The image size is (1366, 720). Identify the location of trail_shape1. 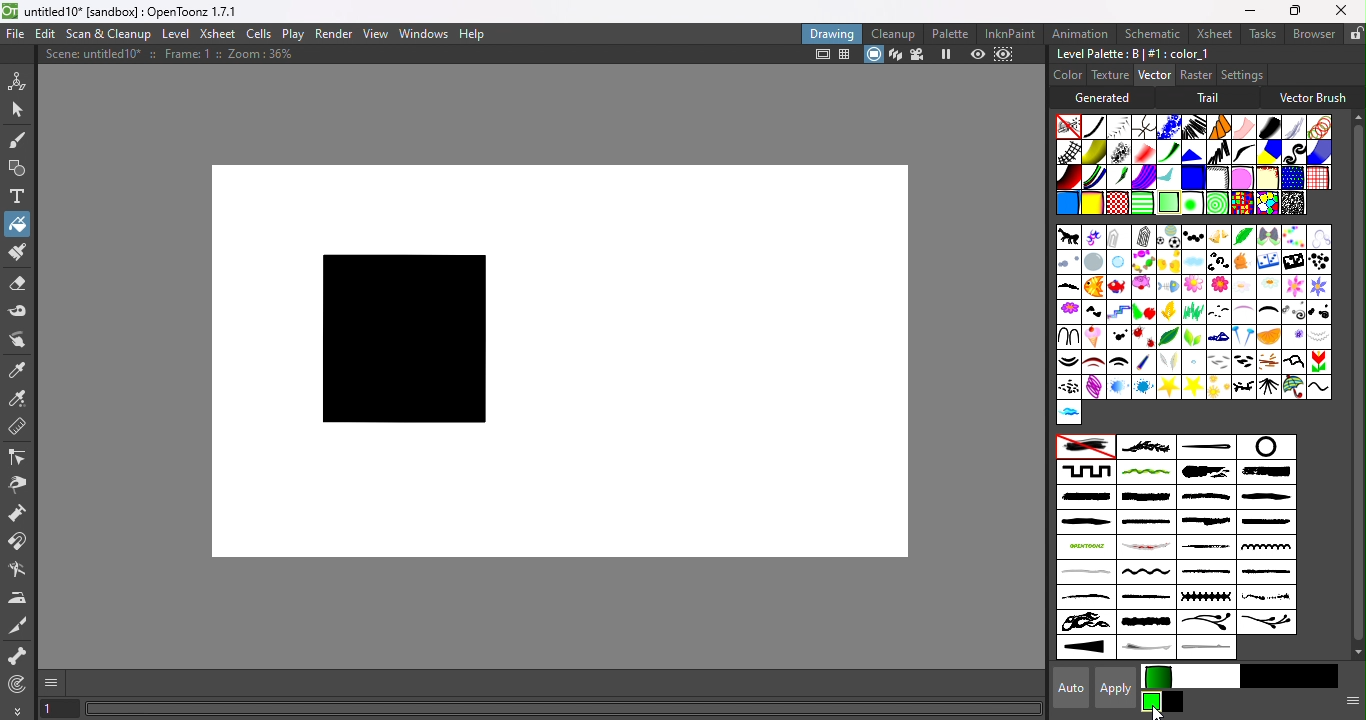
(1144, 649).